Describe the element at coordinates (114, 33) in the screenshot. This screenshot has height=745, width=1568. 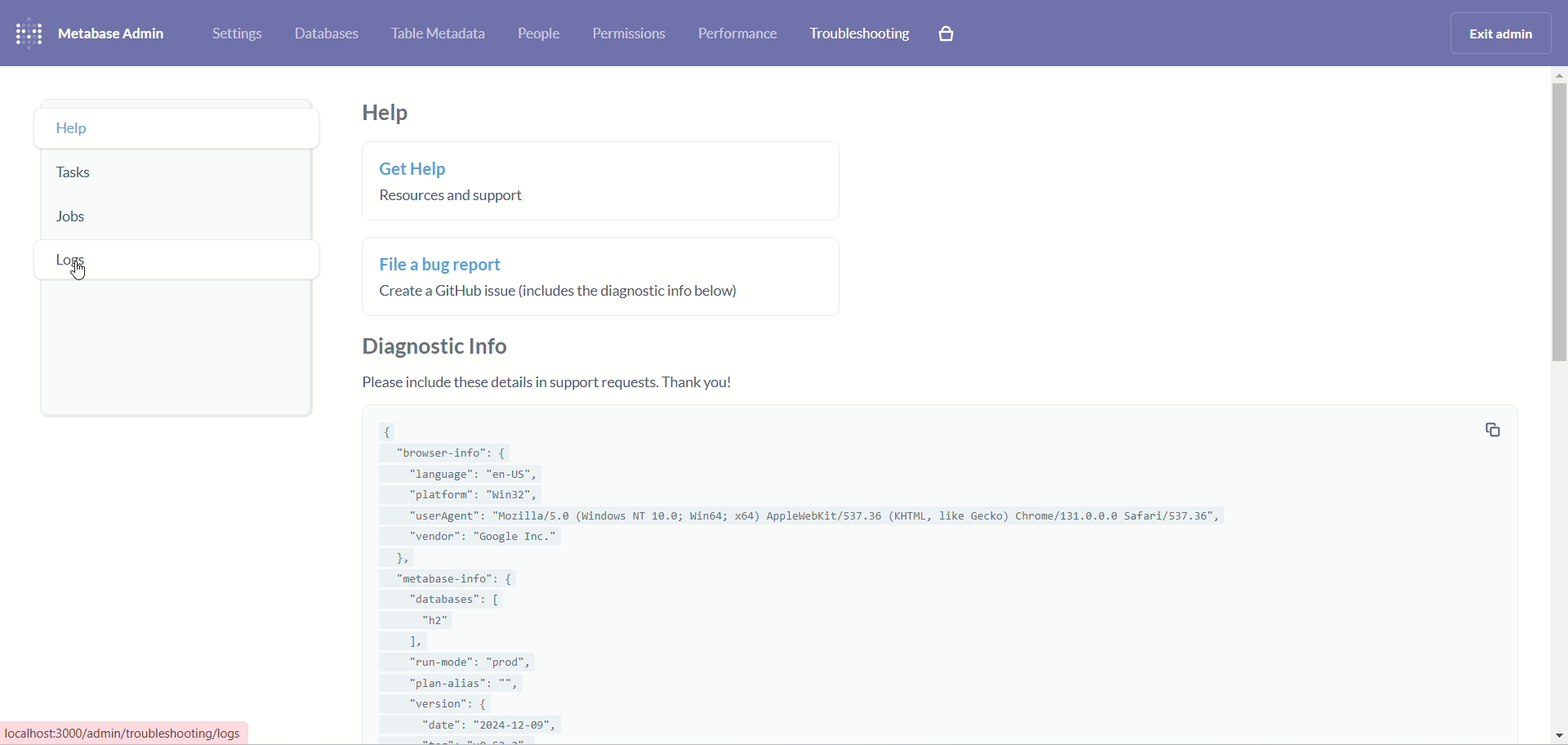
I see `metabase admin` at that location.